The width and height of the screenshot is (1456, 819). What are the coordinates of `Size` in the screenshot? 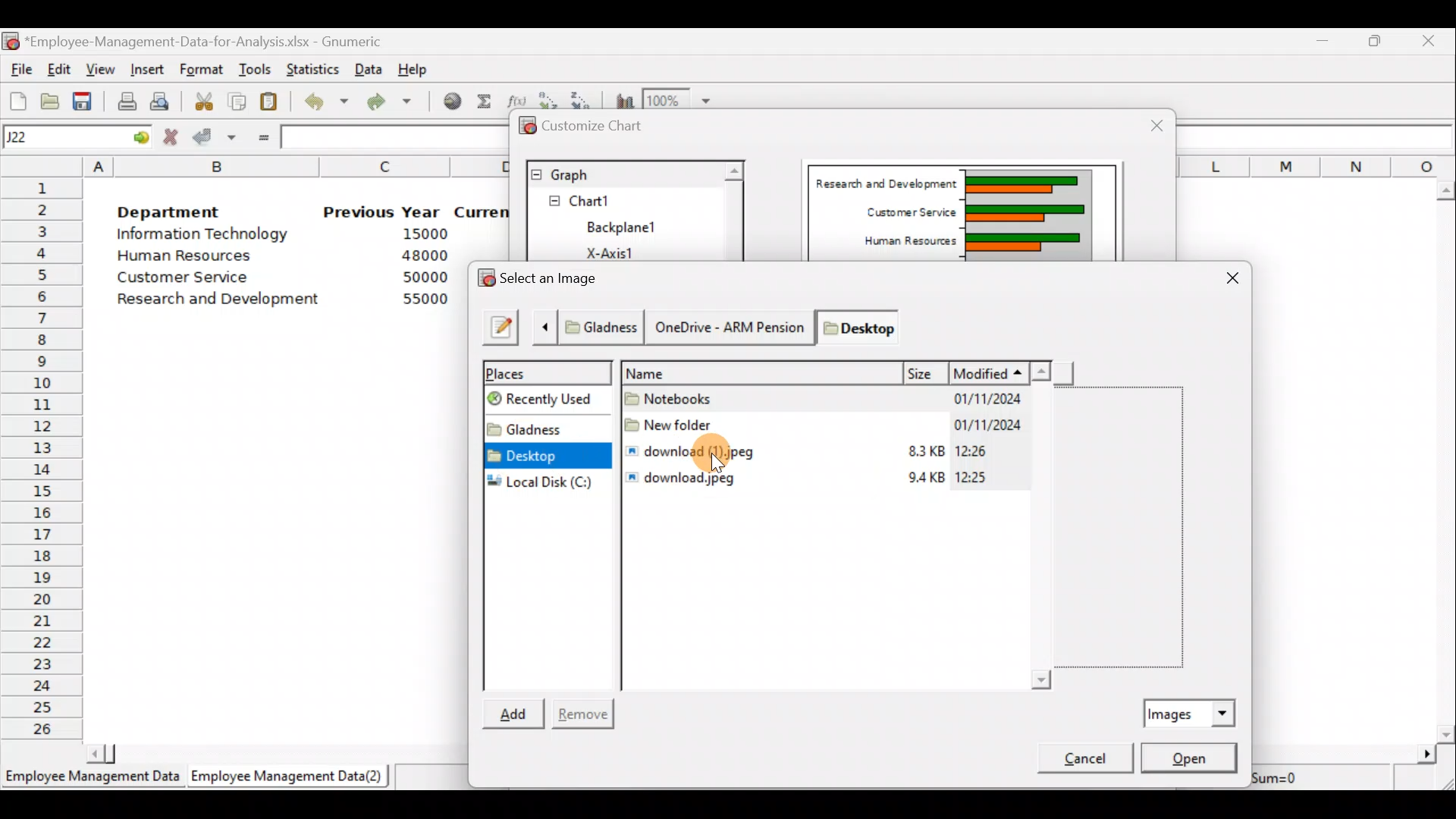 It's located at (927, 371).